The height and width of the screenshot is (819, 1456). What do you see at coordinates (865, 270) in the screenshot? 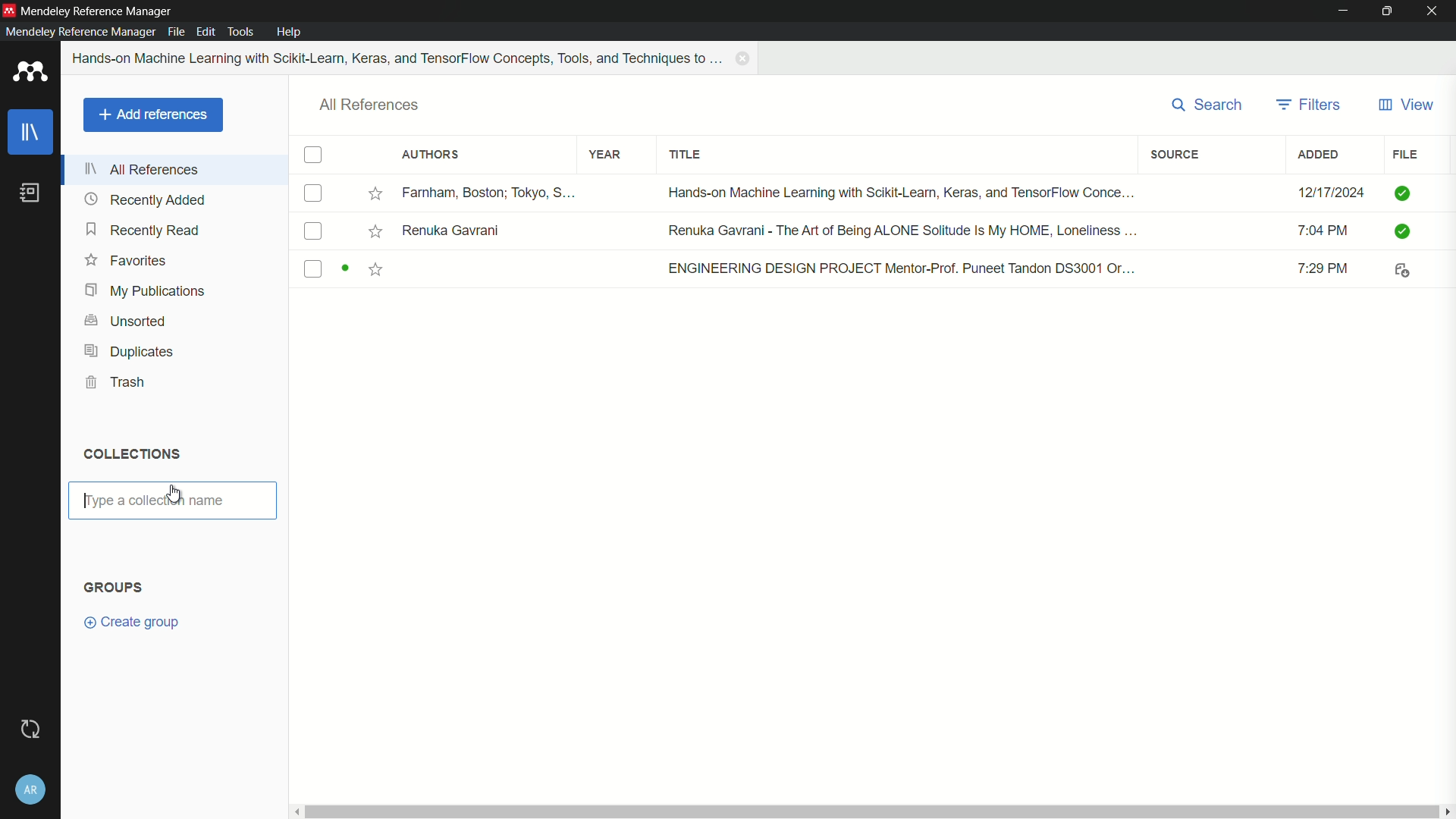
I see `book-3` at bounding box center [865, 270].